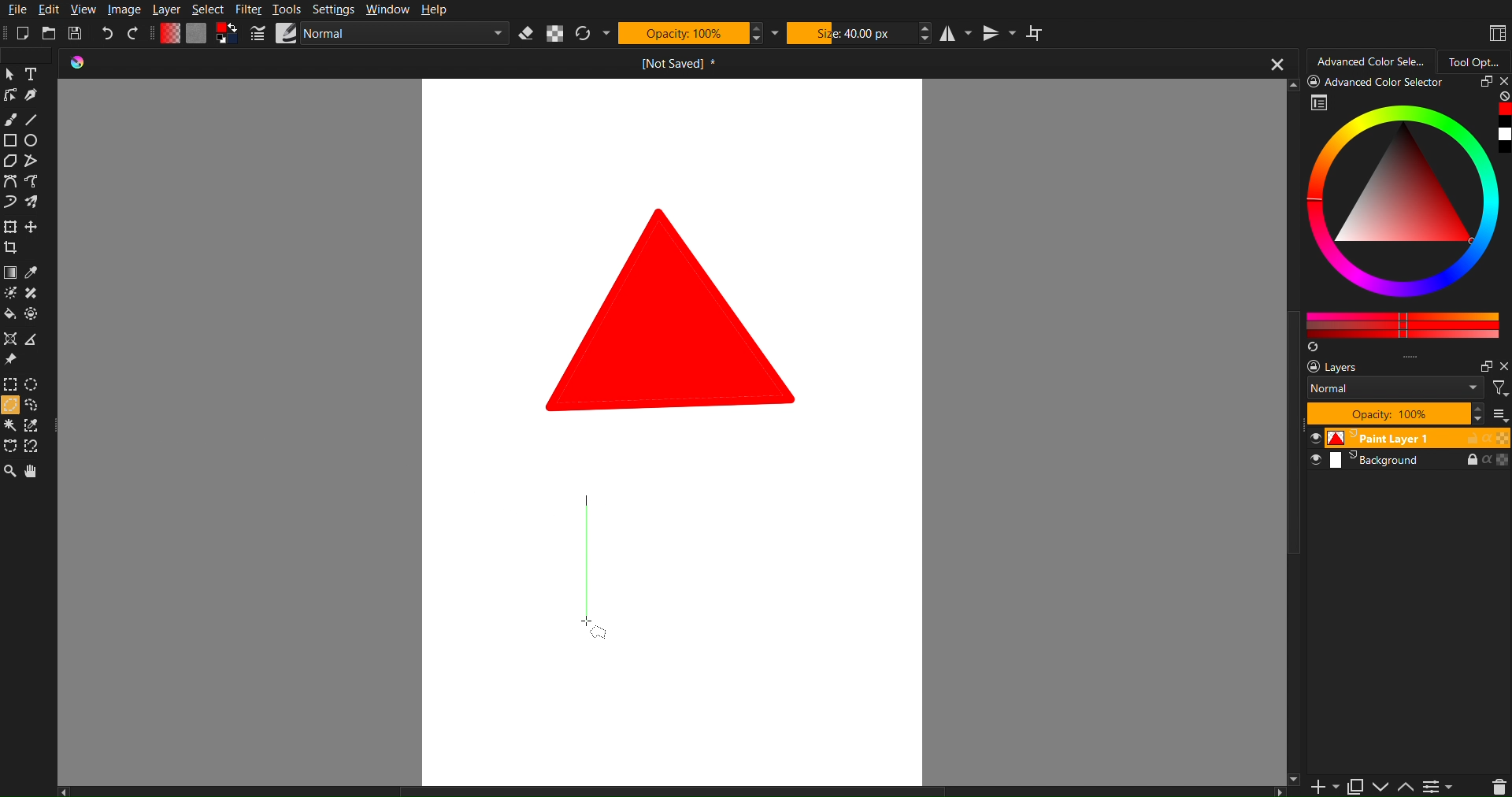 Image resolution: width=1512 pixels, height=797 pixels. I want to click on Add, so click(1320, 787).